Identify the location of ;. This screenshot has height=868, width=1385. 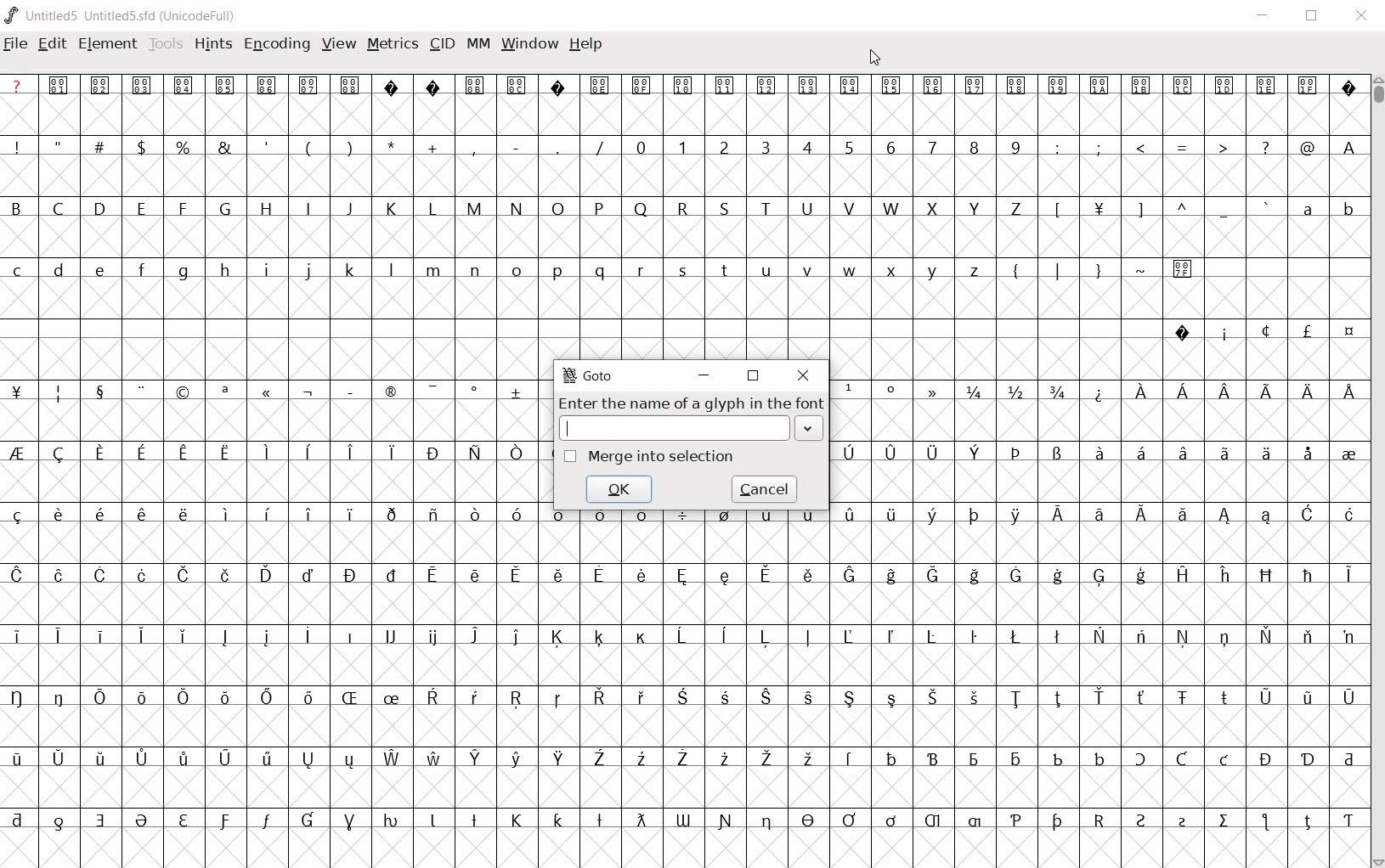
(1099, 149).